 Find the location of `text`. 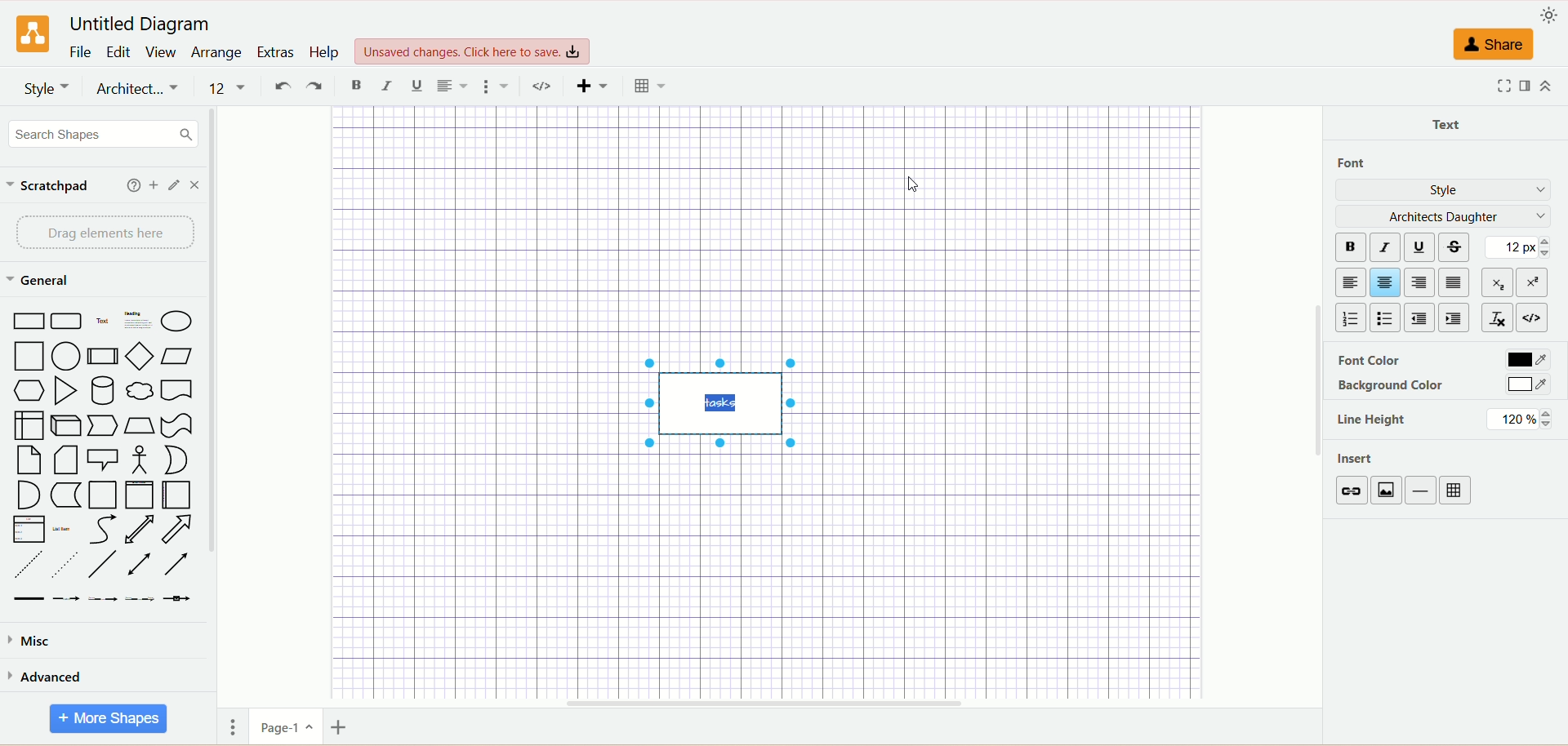

text is located at coordinates (1450, 122).